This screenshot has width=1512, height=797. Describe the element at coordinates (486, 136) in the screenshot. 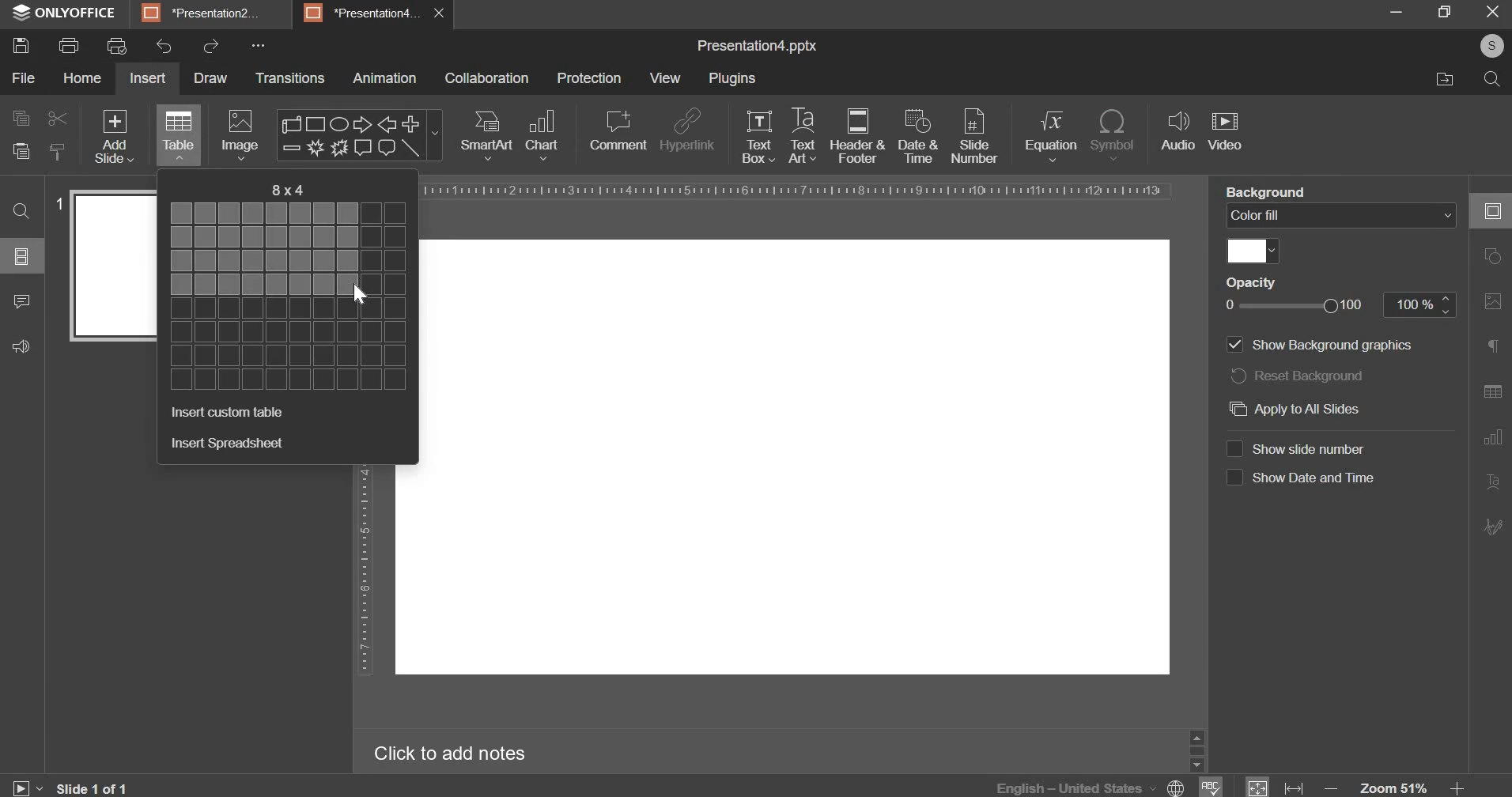

I see `smart art` at that location.